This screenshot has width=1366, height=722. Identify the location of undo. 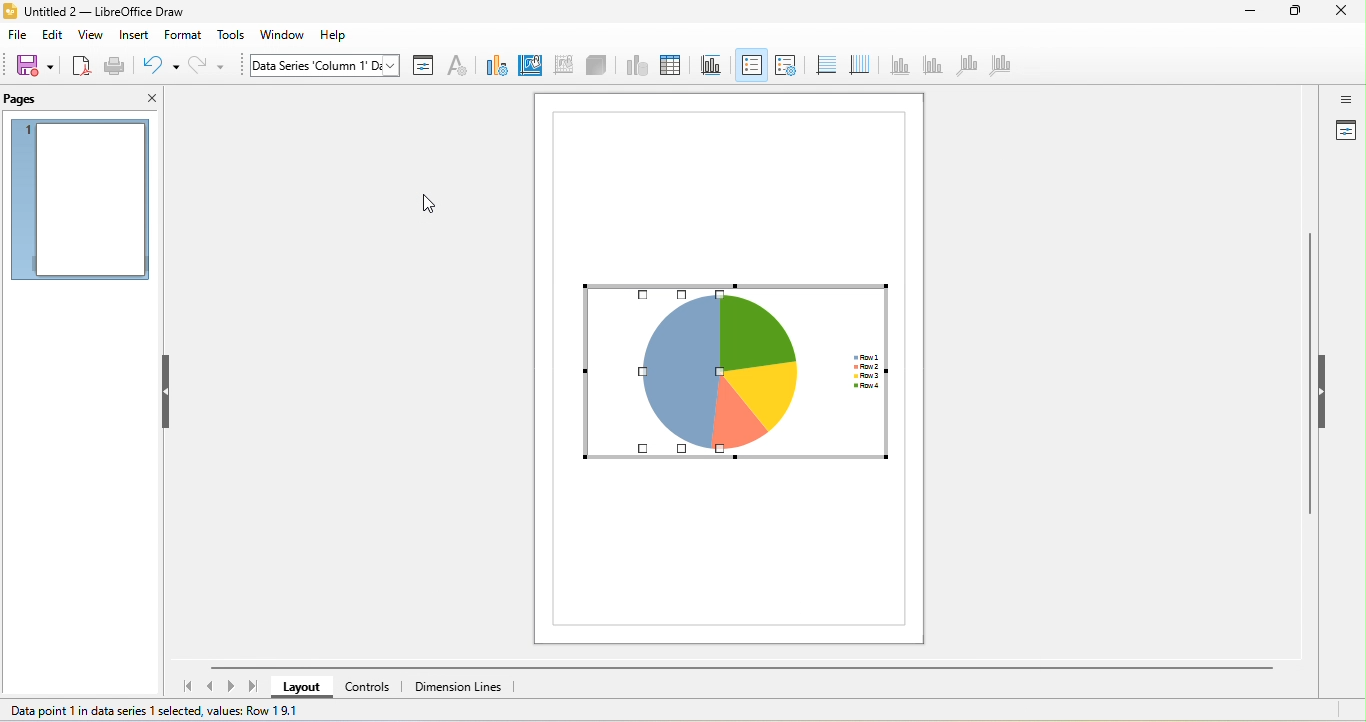
(160, 65).